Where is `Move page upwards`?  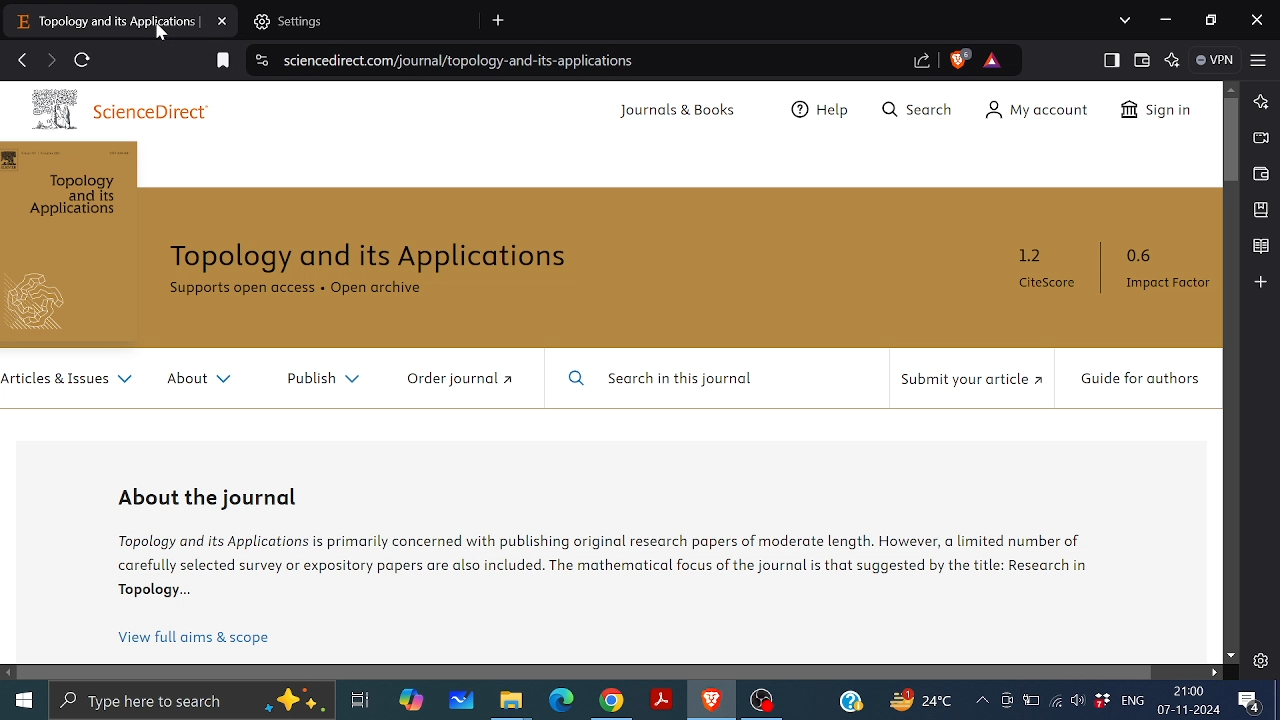
Move page upwards is located at coordinates (1231, 90).